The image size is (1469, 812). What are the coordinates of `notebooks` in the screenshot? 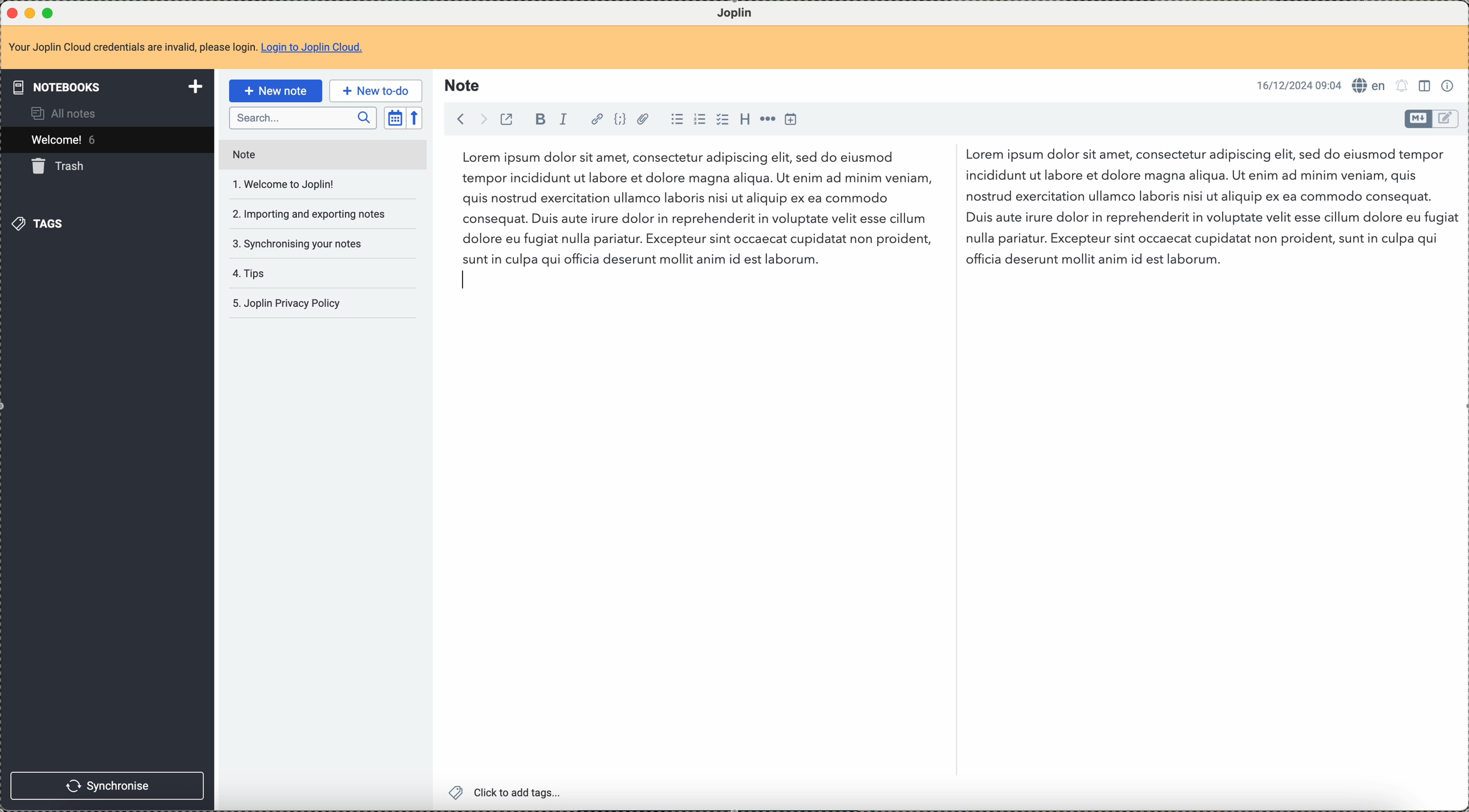 It's located at (104, 87).